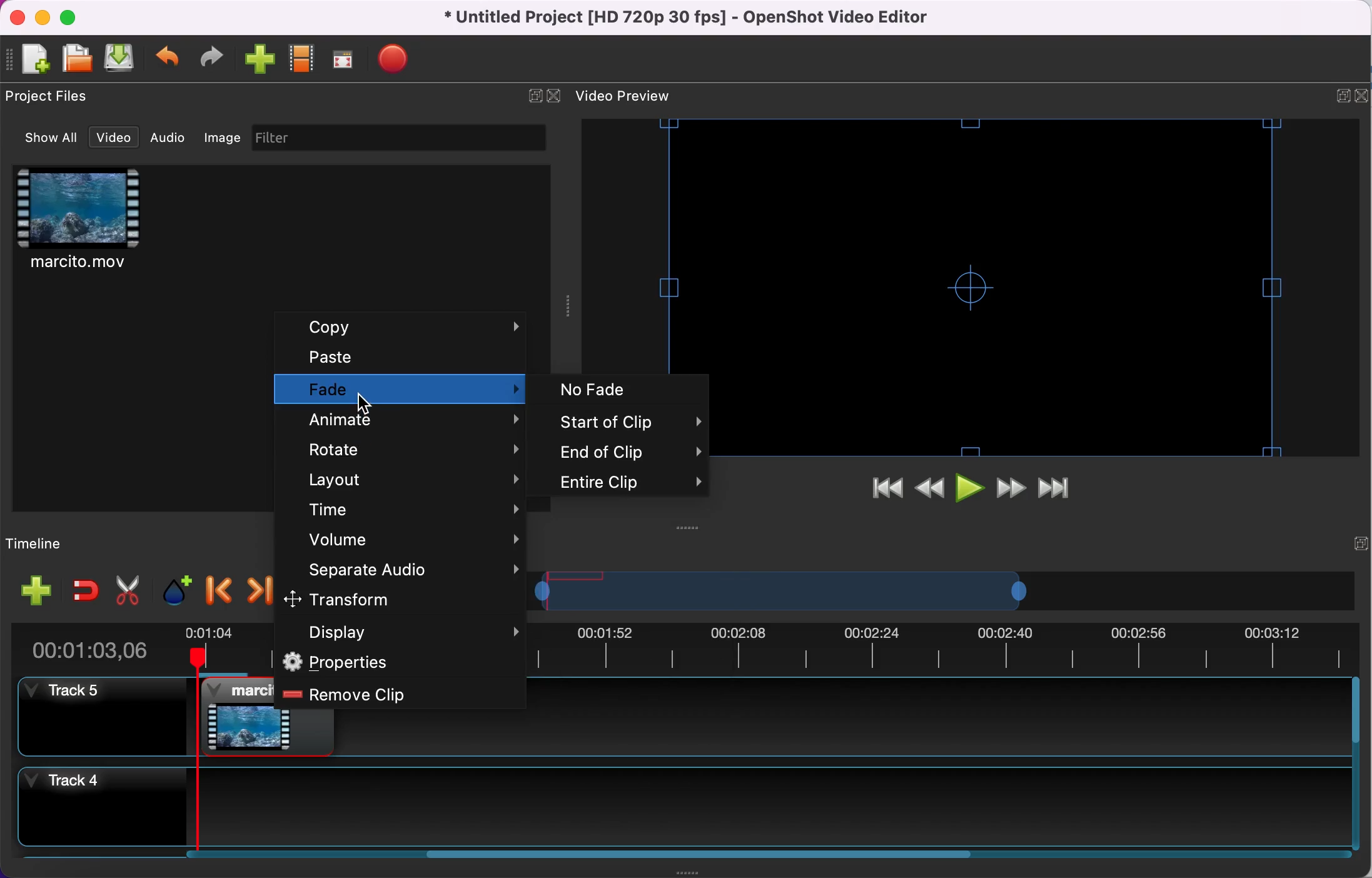  What do you see at coordinates (692, 18) in the screenshot?
I see `title - Untitled Project [HD 720p 30 fps) - OpenShot Video Editor` at bounding box center [692, 18].